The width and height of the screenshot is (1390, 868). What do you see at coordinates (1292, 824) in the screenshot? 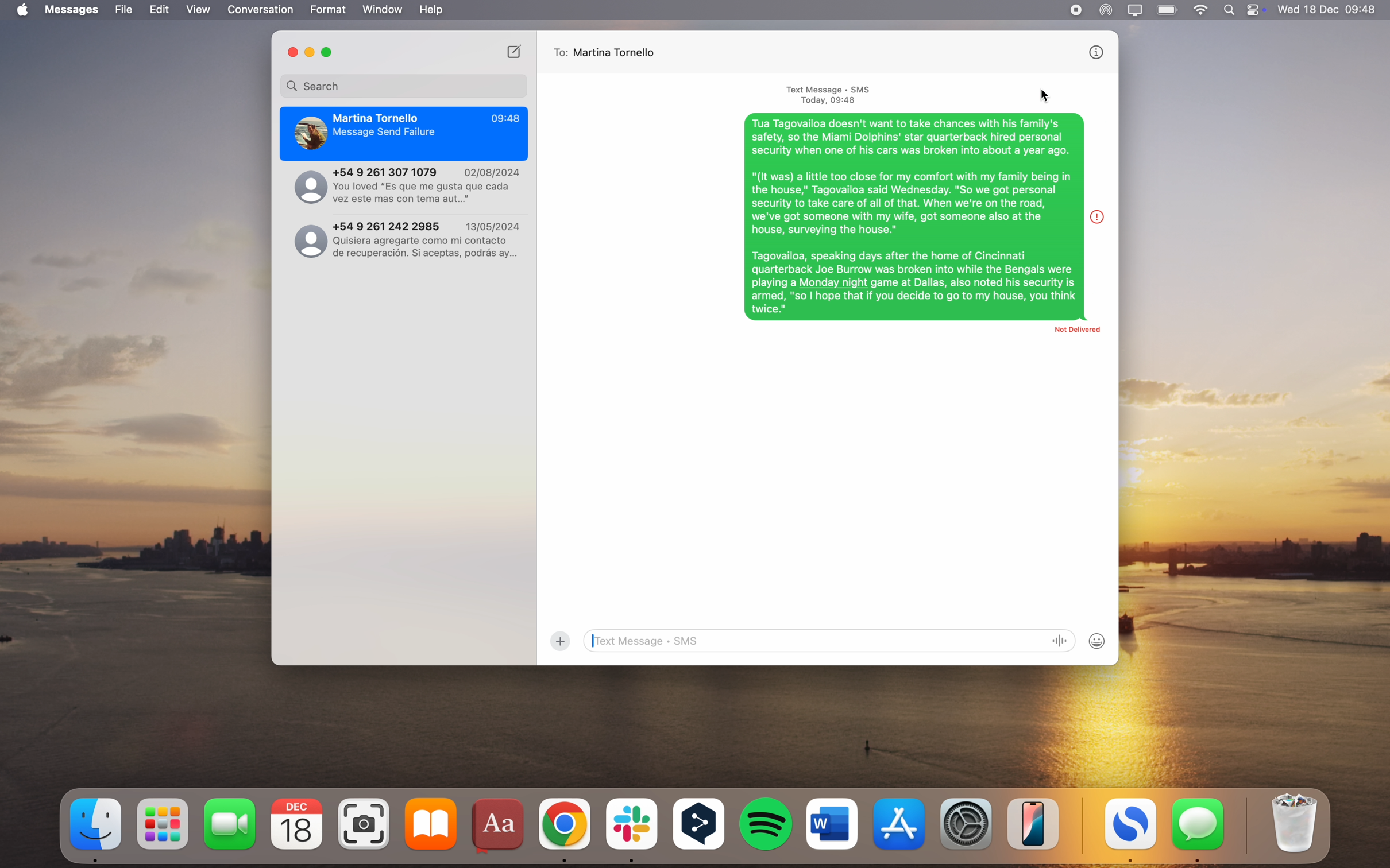
I see `trash` at bounding box center [1292, 824].